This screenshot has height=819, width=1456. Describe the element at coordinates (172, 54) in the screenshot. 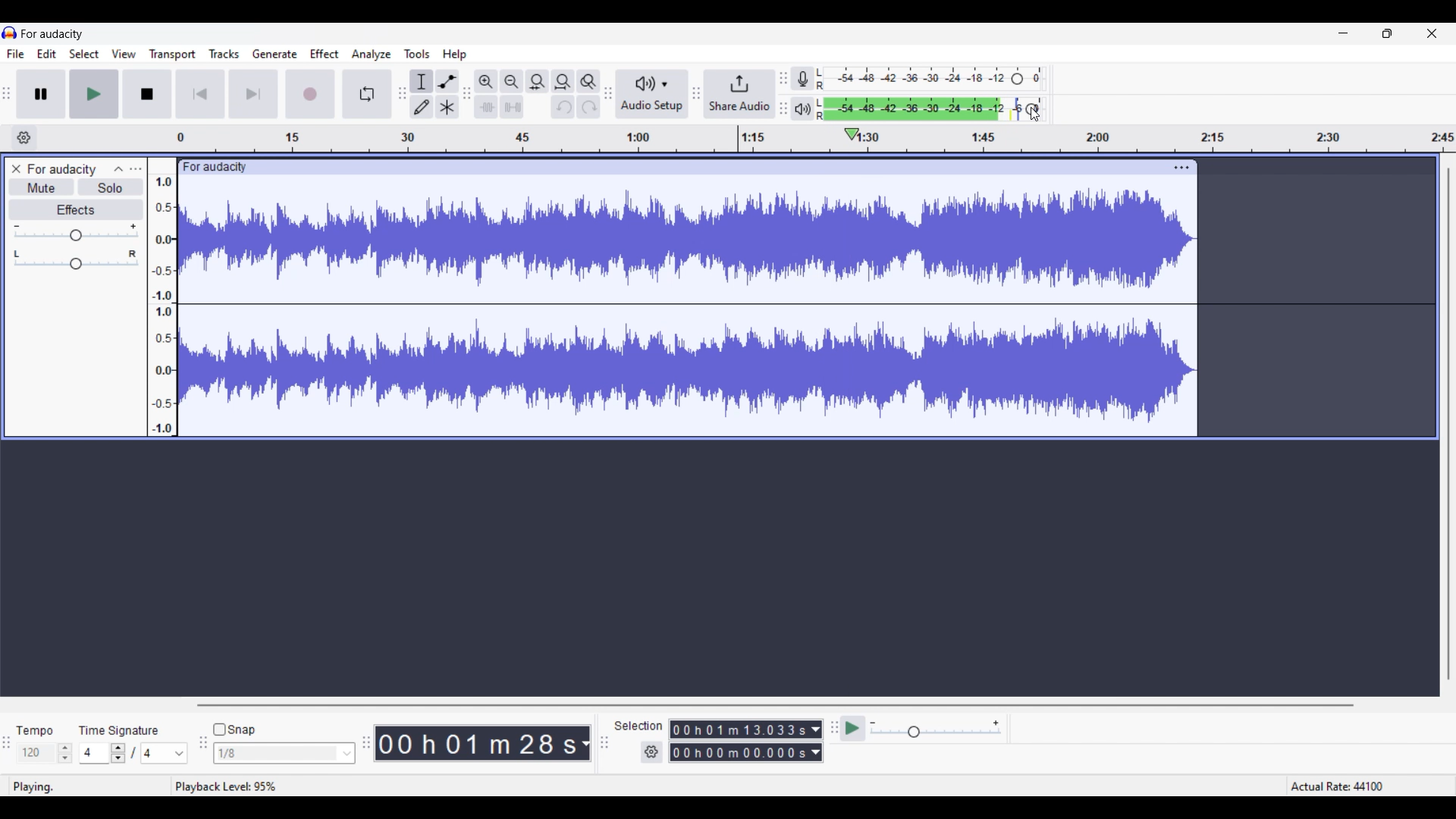

I see `Transport menu` at that location.